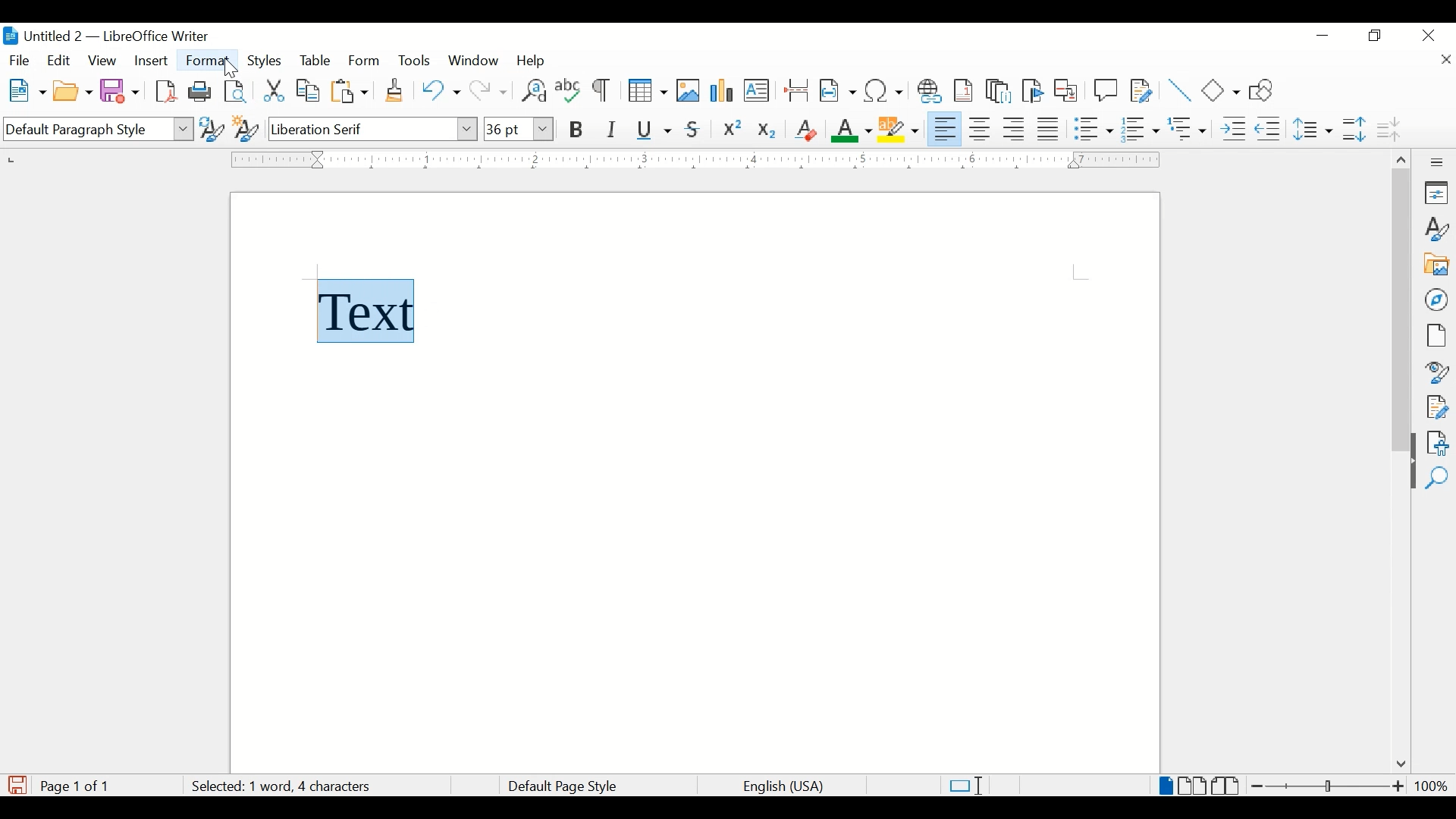 The image size is (1456, 819). I want to click on print, so click(200, 90).